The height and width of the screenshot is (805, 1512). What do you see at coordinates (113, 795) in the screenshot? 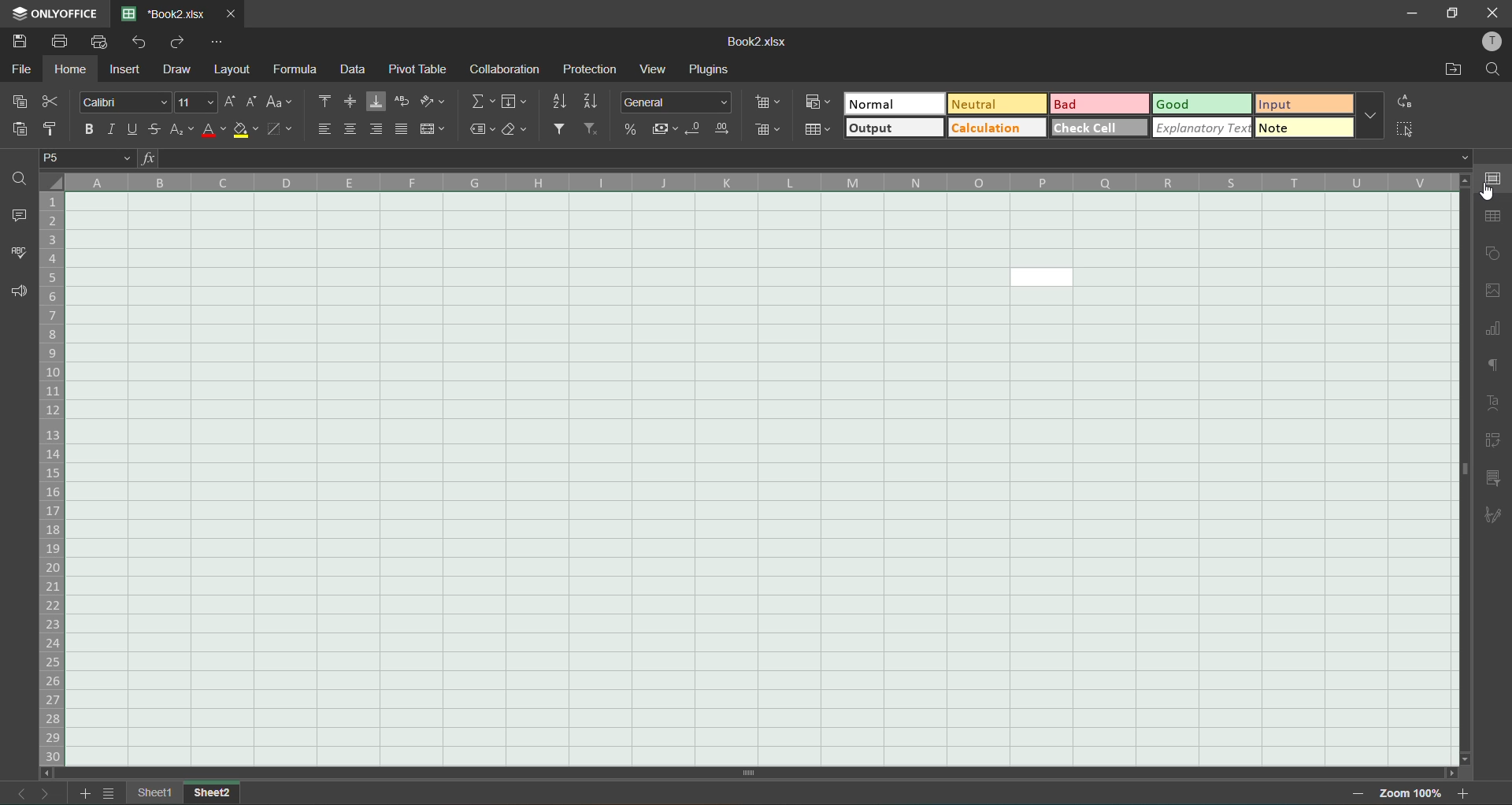
I see `sheet list` at bounding box center [113, 795].